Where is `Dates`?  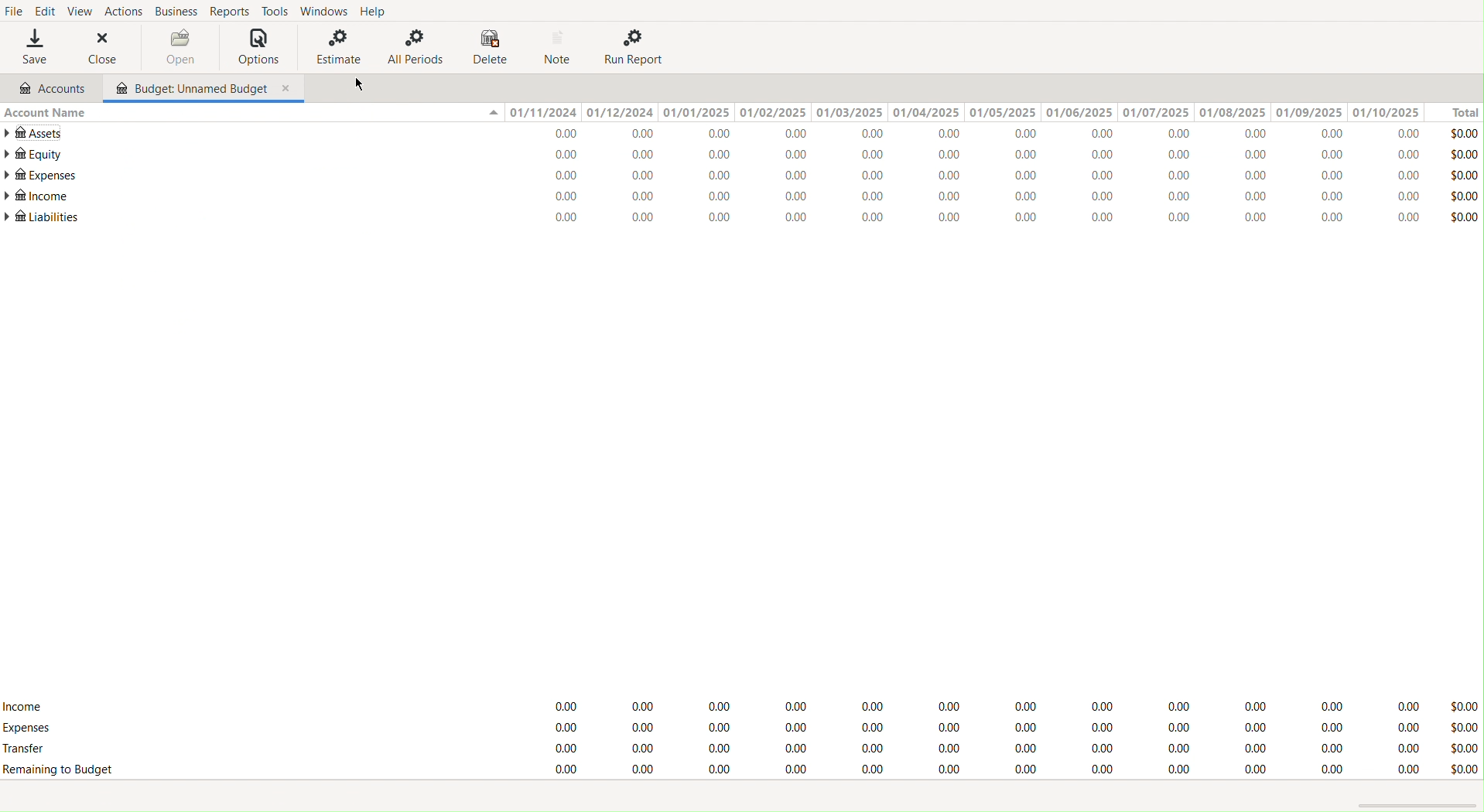 Dates is located at coordinates (966, 111).